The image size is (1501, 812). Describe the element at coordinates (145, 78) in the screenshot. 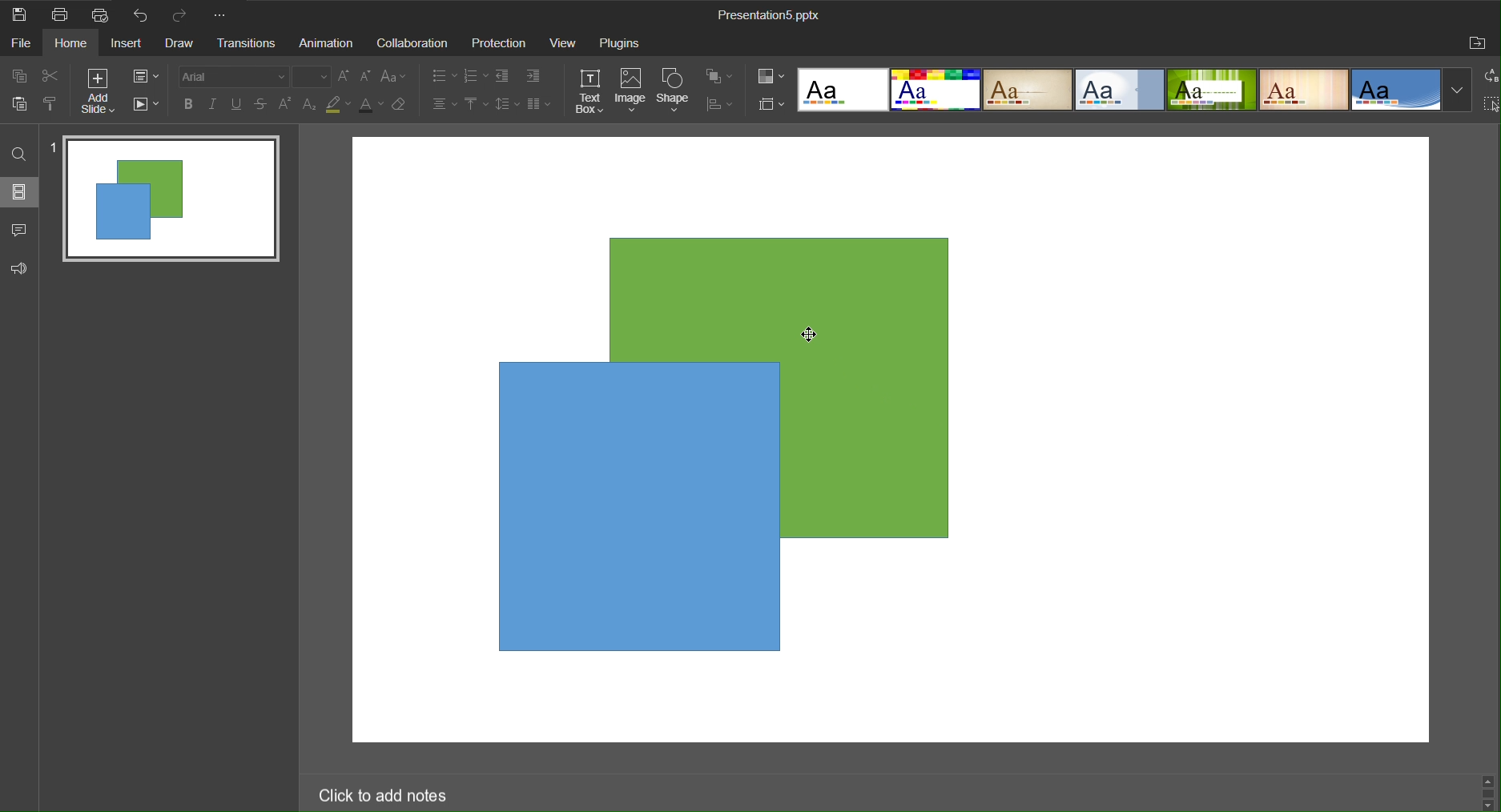

I see `Slide Settings` at that location.